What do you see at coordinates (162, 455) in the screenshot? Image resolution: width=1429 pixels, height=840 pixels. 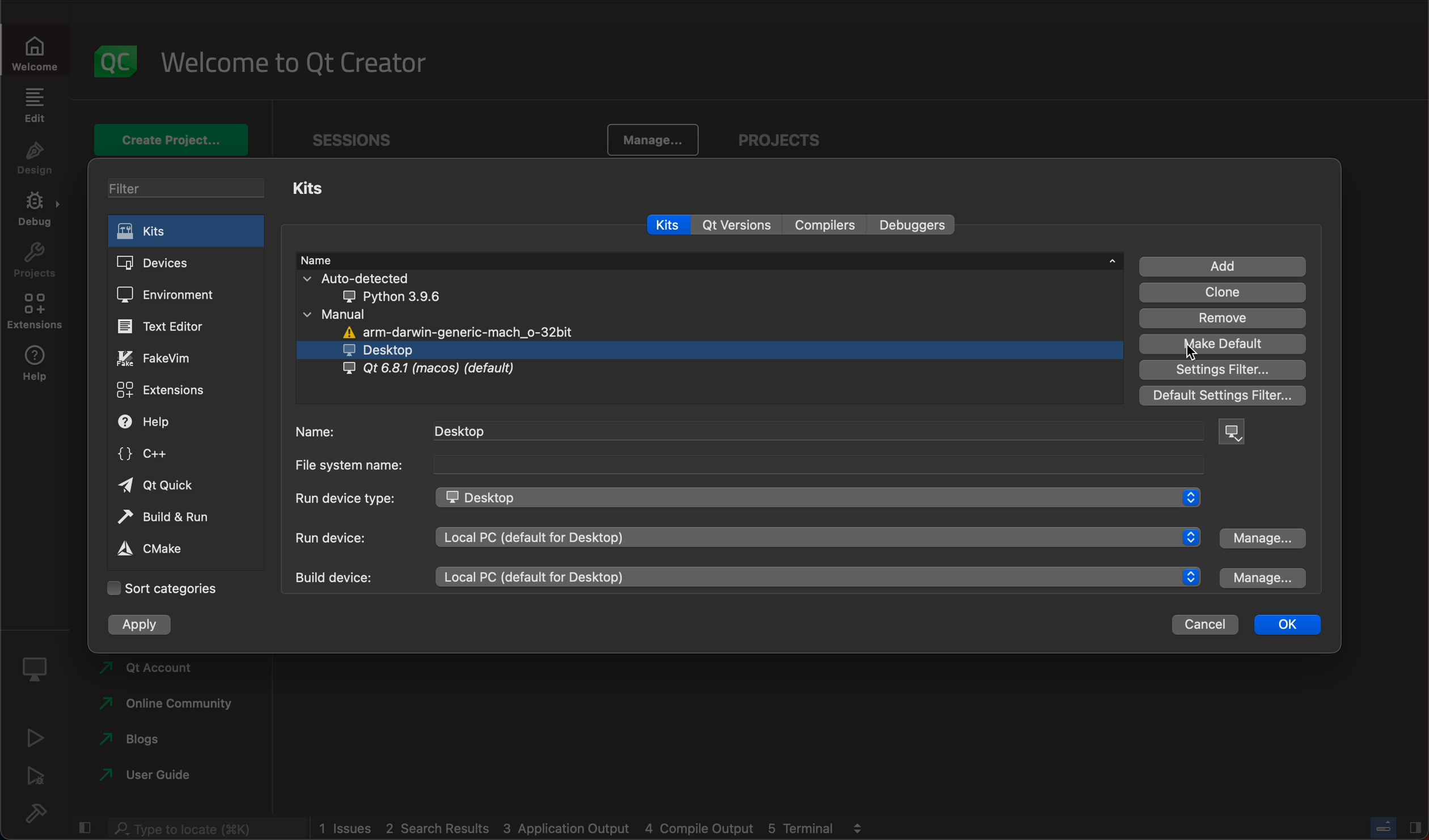 I see `c++` at bounding box center [162, 455].